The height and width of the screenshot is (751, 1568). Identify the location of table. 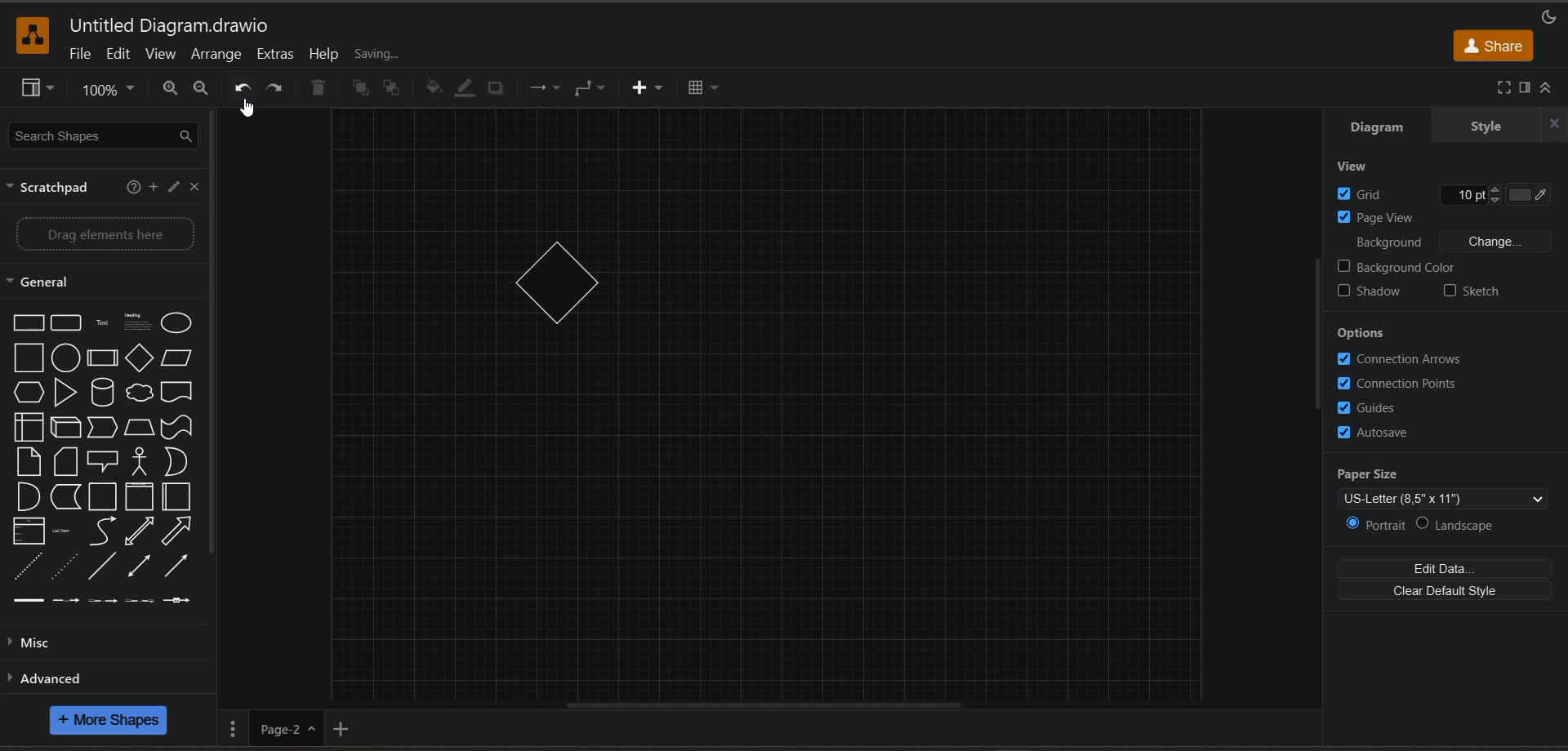
(709, 90).